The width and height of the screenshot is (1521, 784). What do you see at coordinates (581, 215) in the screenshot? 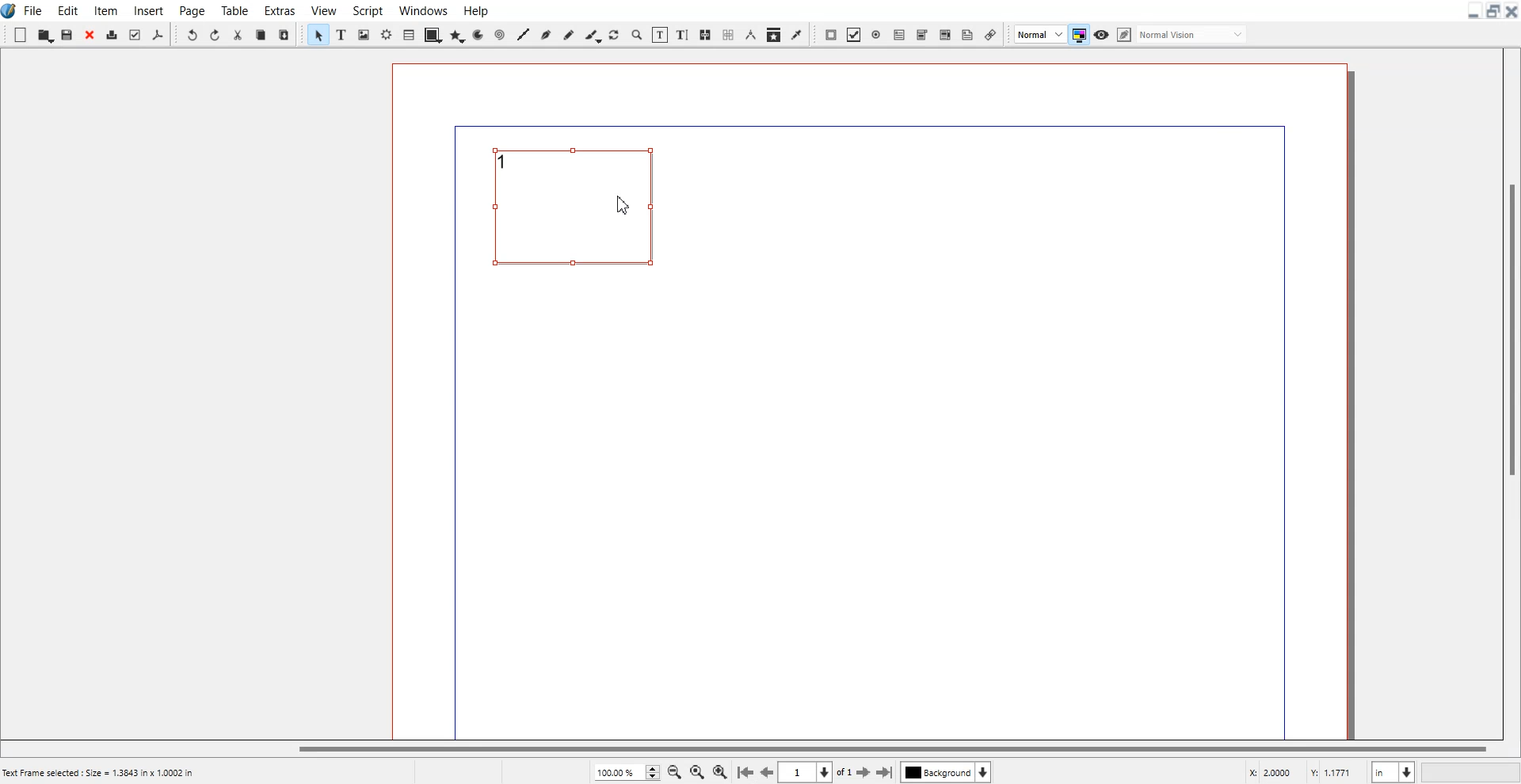
I see `Text Frame` at bounding box center [581, 215].